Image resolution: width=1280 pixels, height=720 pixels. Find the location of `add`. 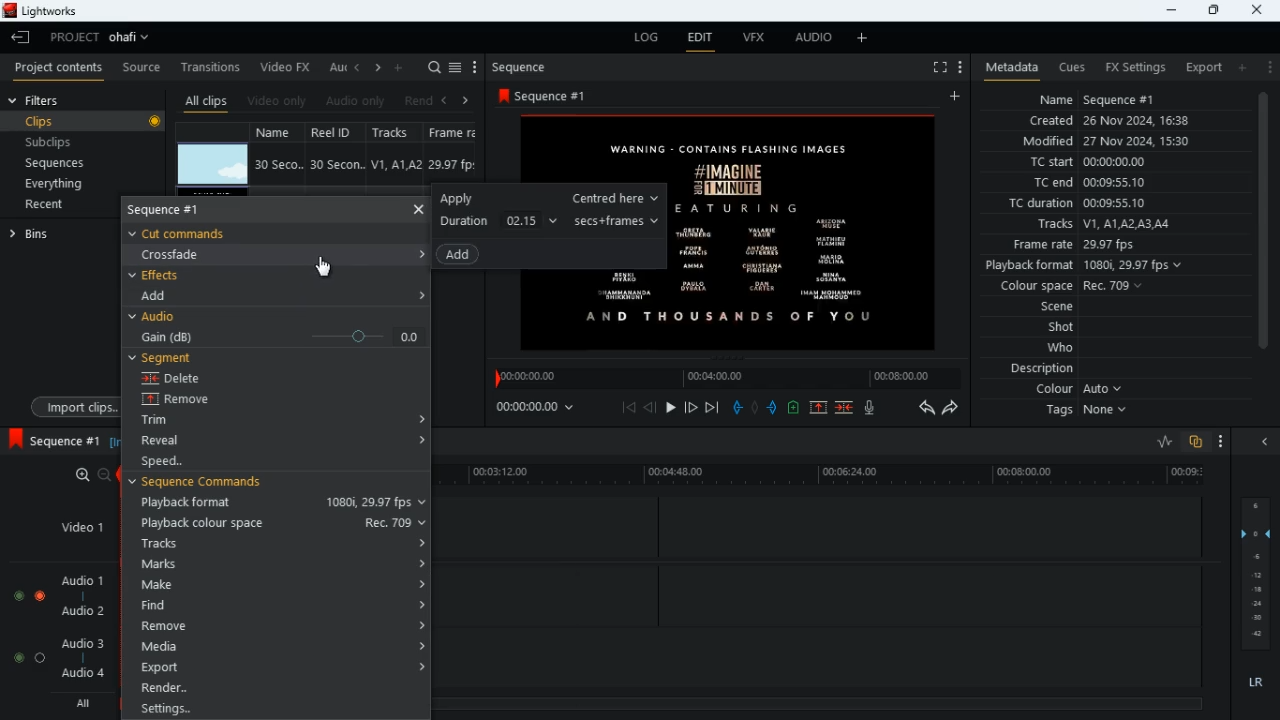

add is located at coordinates (463, 255).